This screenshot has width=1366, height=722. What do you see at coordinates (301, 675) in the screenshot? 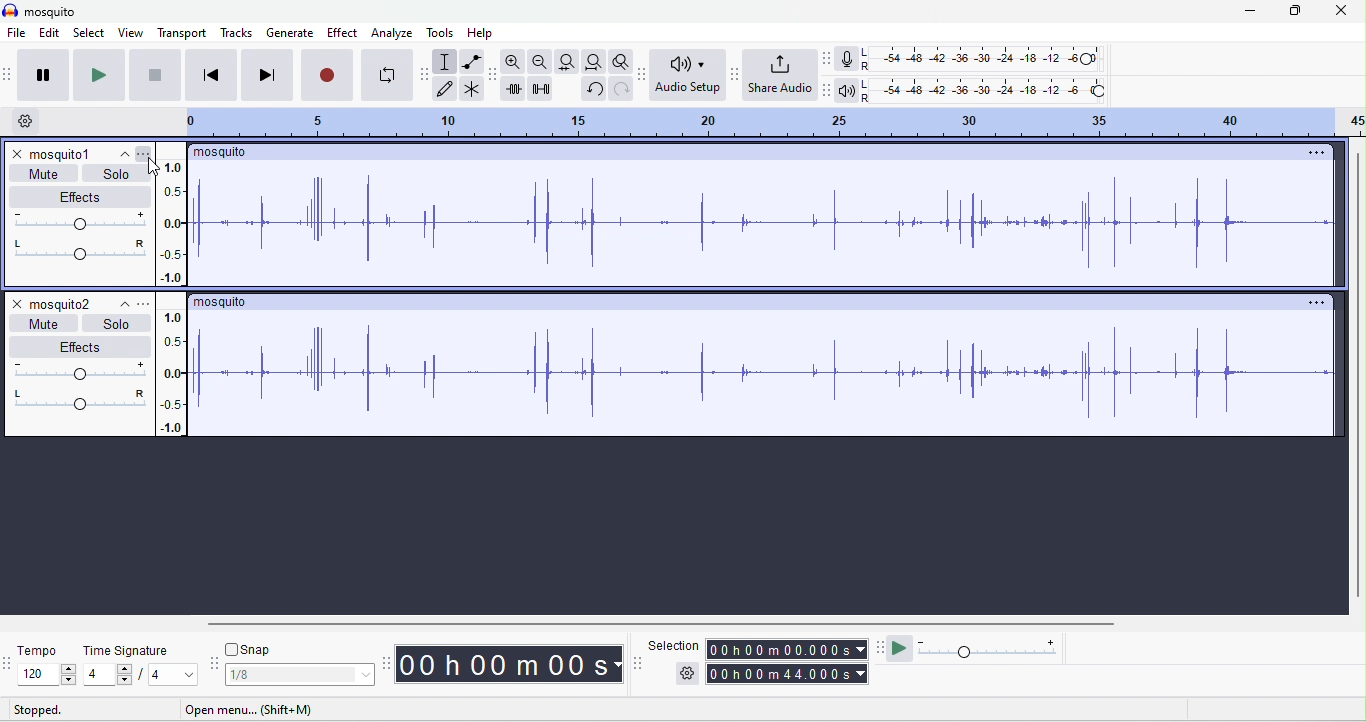
I see `select snapping` at bounding box center [301, 675].